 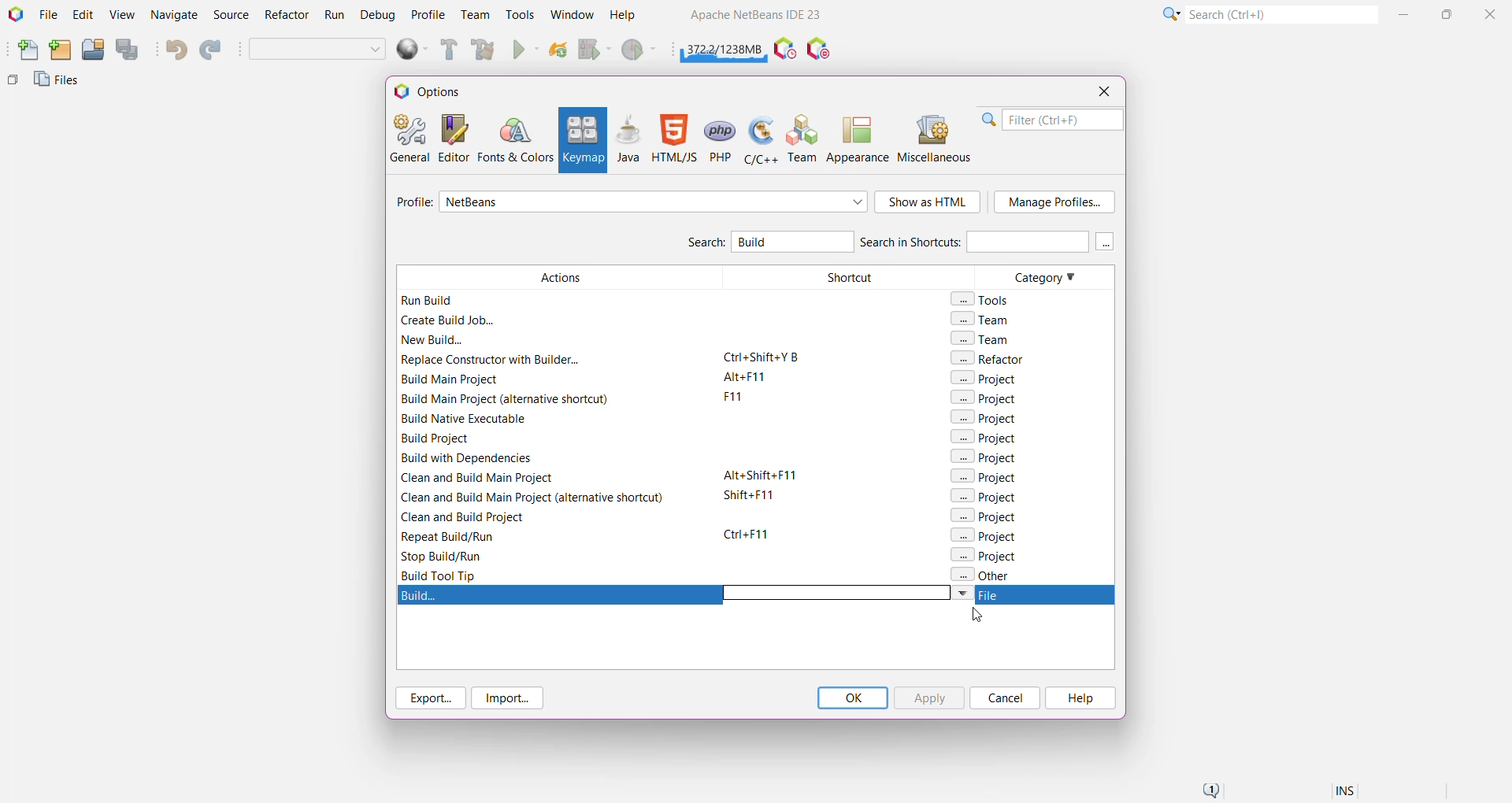 I want to click on Miscellaneous, so click(x=936, y=139).